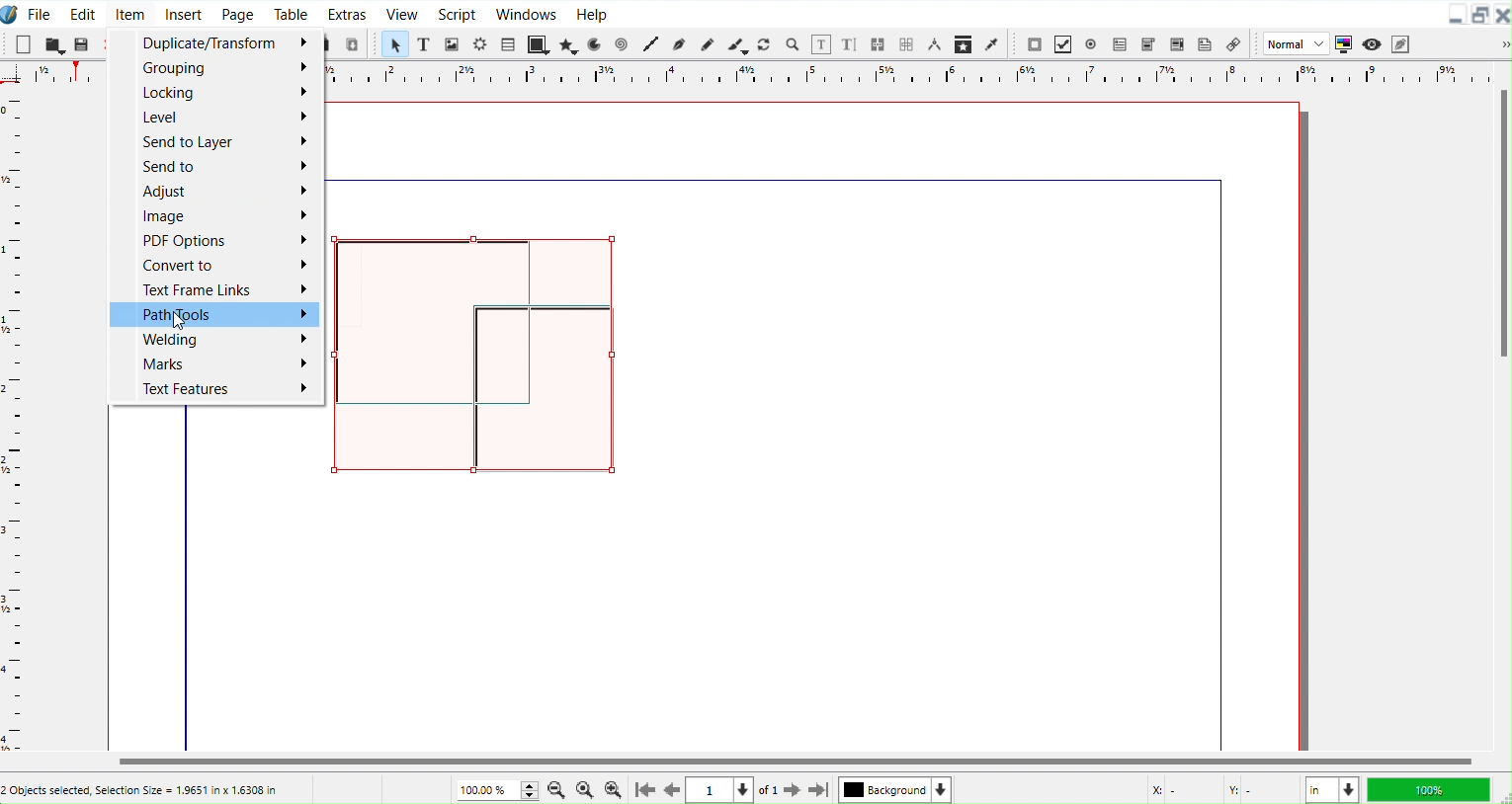 This screenshot has width=1512, height=804. Describe the element at coordinates (1120, 43) in the screenshot. I see `PDF Text Field` at that location.